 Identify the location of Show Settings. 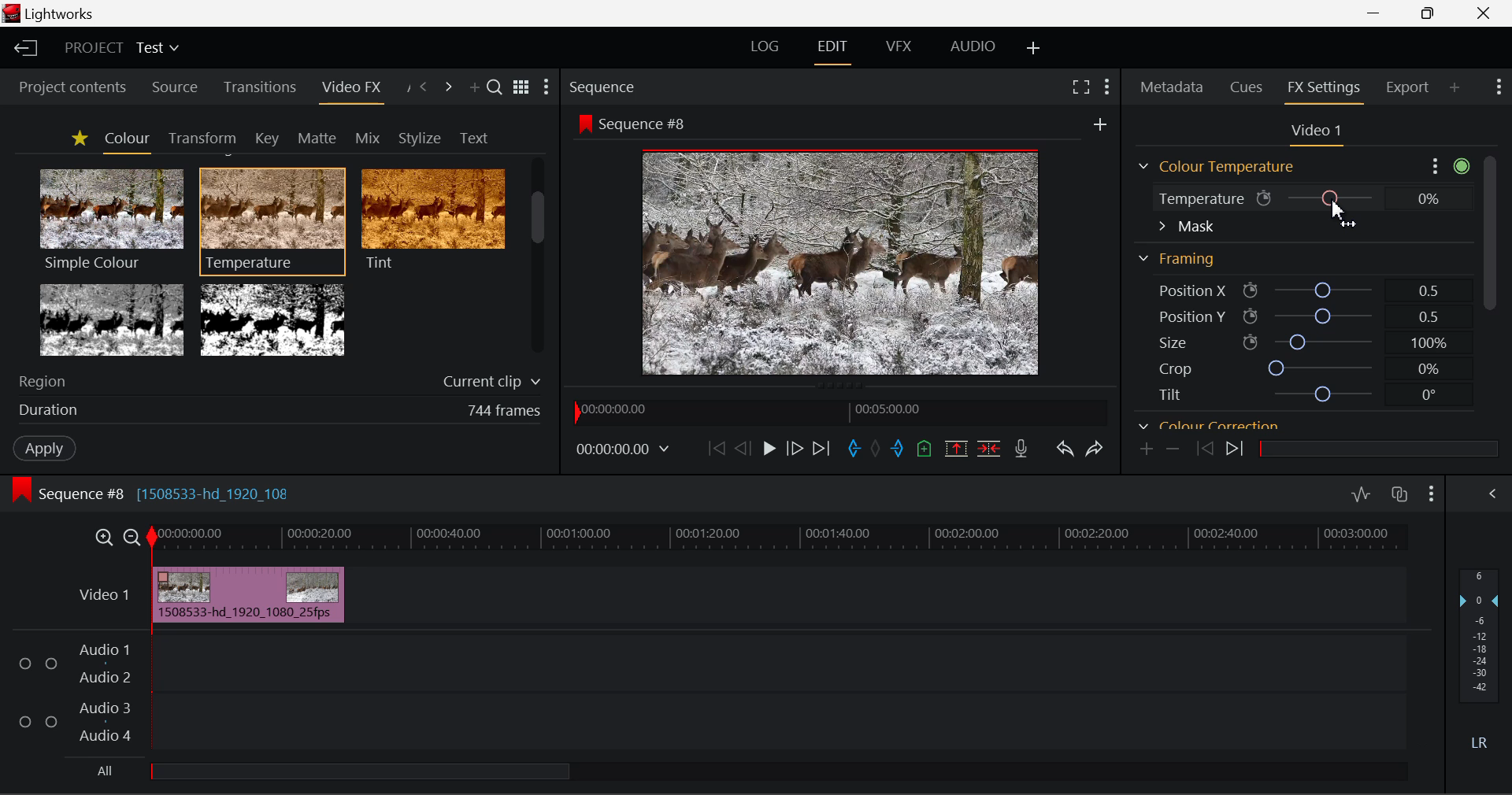
(1432, 492).